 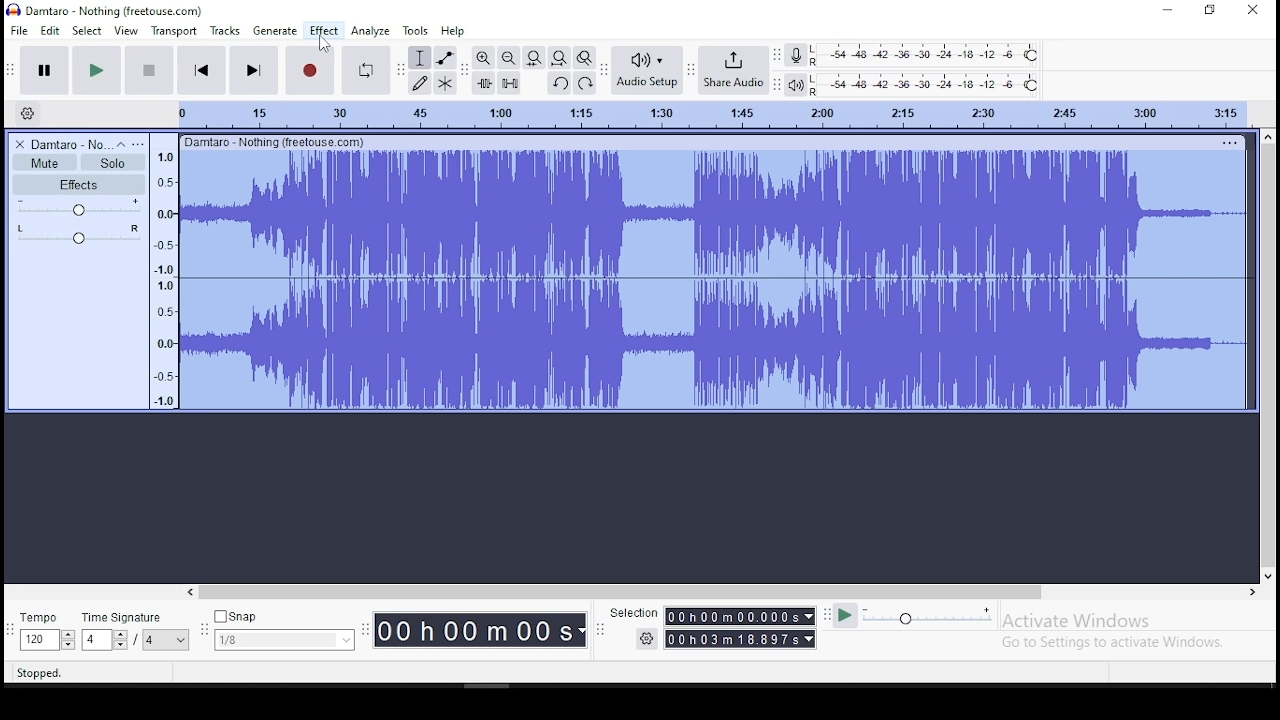 What do you see at coordinates (1212, 9) in the screenshot?
I see `restore` at bounding box center [1212, 9].